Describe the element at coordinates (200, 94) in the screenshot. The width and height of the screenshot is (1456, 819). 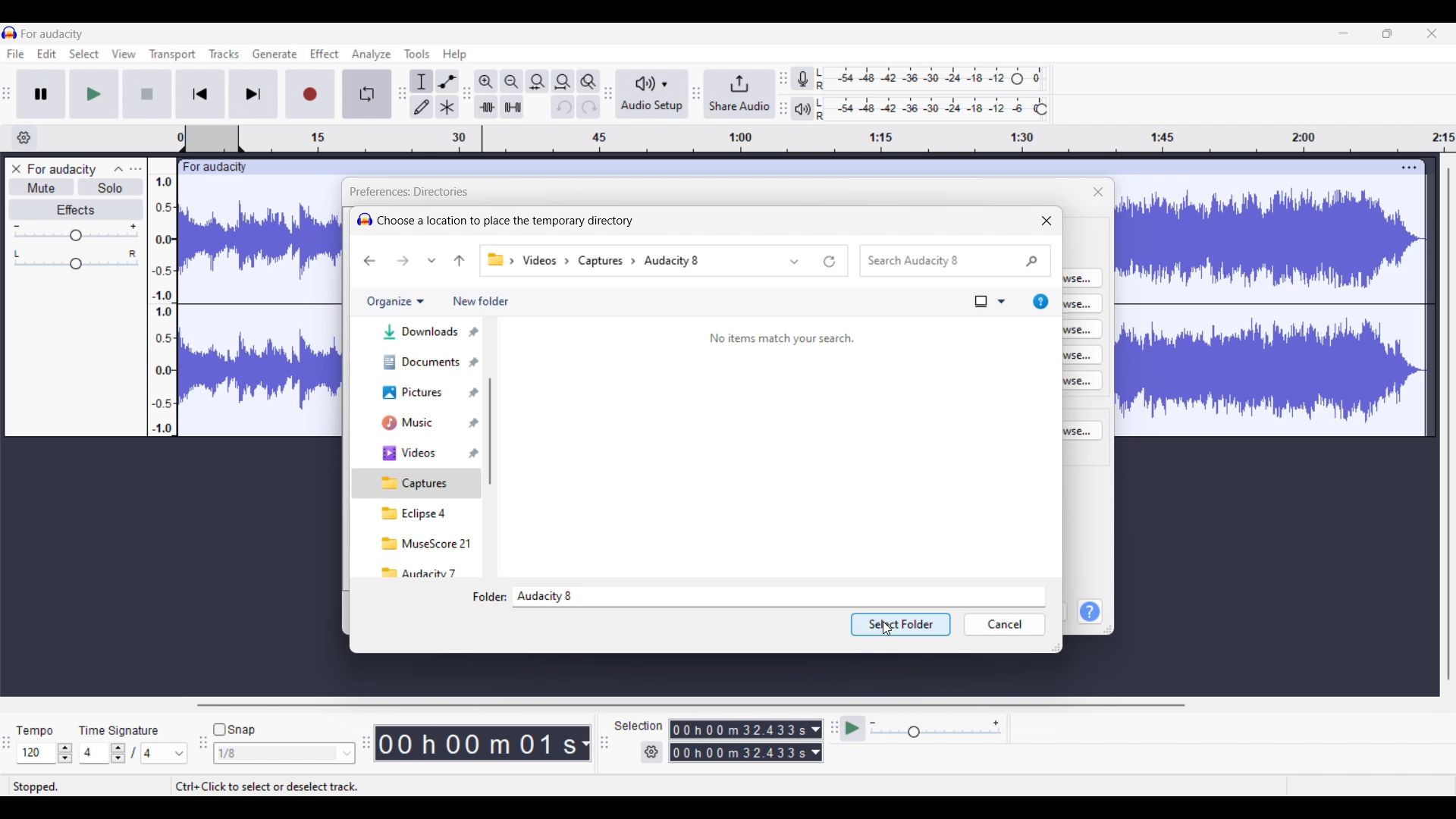
I see `Skip/Select to start` at that location.